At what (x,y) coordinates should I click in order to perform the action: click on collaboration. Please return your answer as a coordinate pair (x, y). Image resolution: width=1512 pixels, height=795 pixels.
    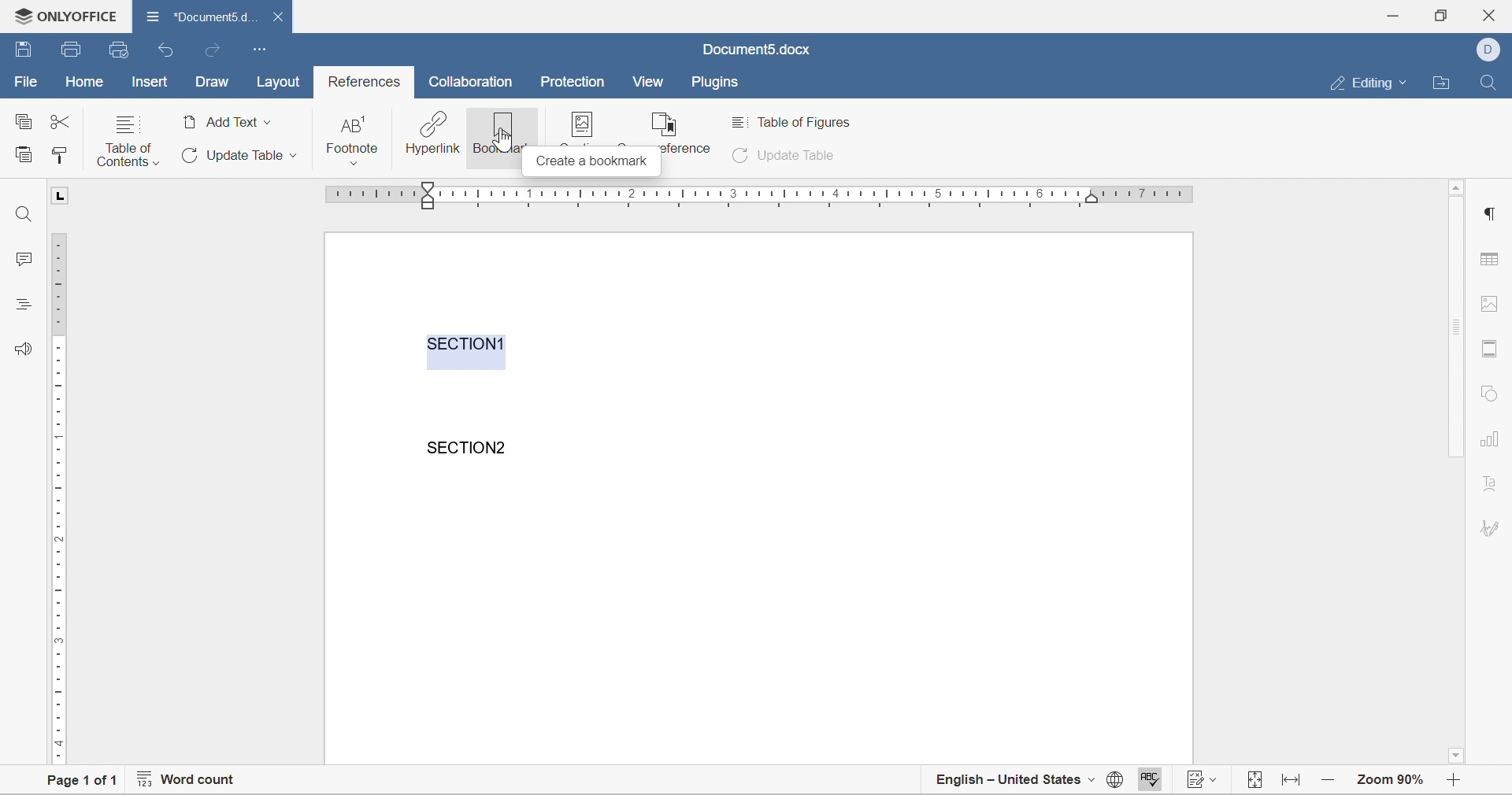
    Looking at the image, I should click on (473, 82).